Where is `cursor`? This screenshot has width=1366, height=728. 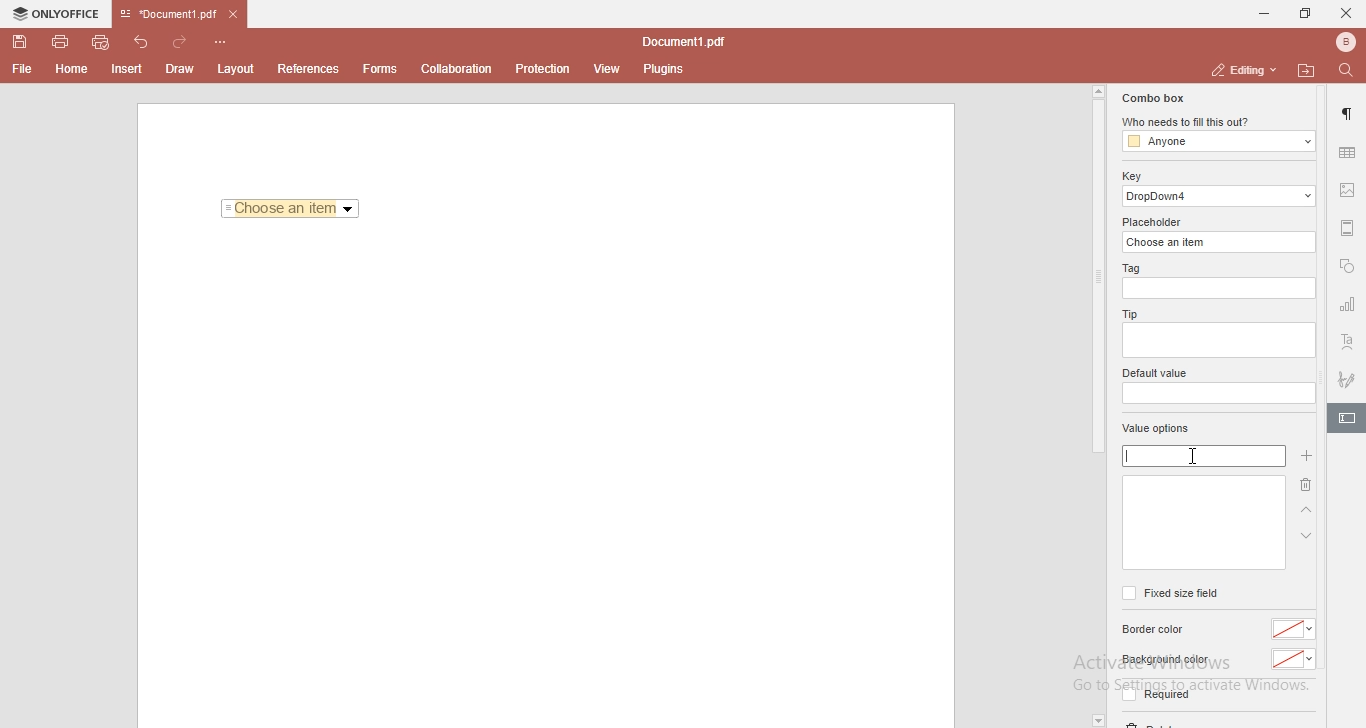
cursor is located at coordinates (1201, 454).